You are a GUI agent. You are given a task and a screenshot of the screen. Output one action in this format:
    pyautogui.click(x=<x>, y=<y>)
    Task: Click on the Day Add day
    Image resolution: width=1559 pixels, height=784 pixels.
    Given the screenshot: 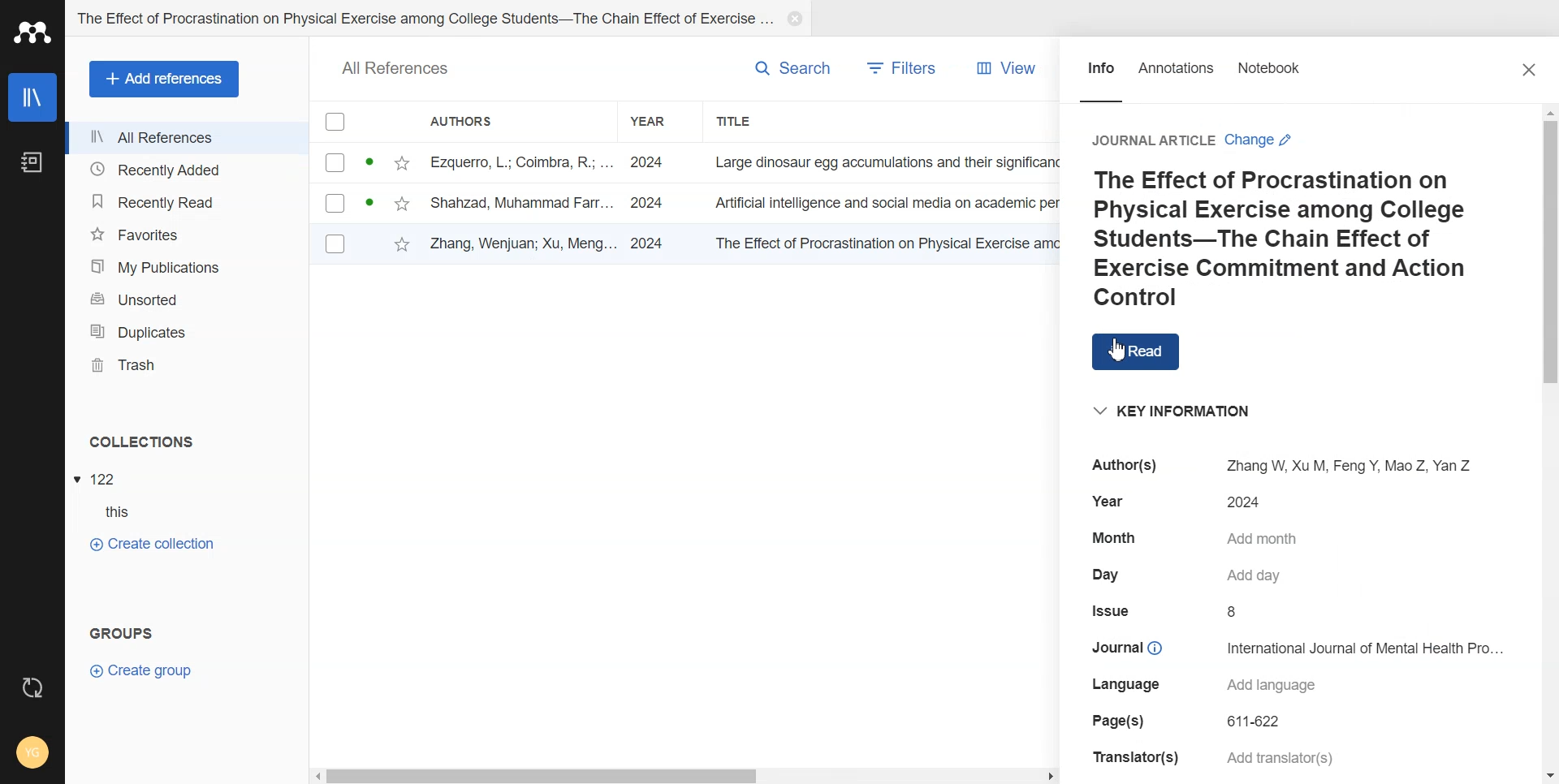 What is the action you would take?
    pyautogui.click(x=1187, y=575)
    